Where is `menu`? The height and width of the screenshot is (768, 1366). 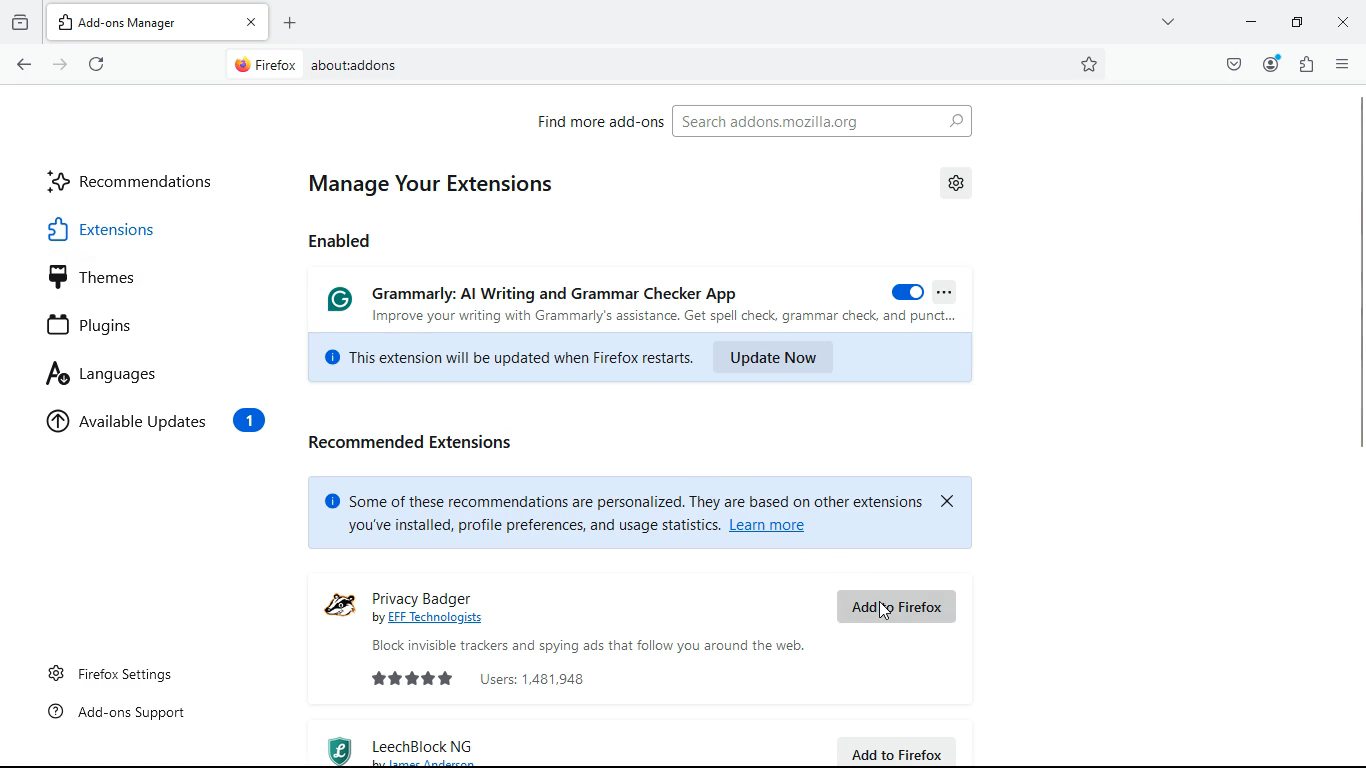 menu is located at coordinates (1344, 64).